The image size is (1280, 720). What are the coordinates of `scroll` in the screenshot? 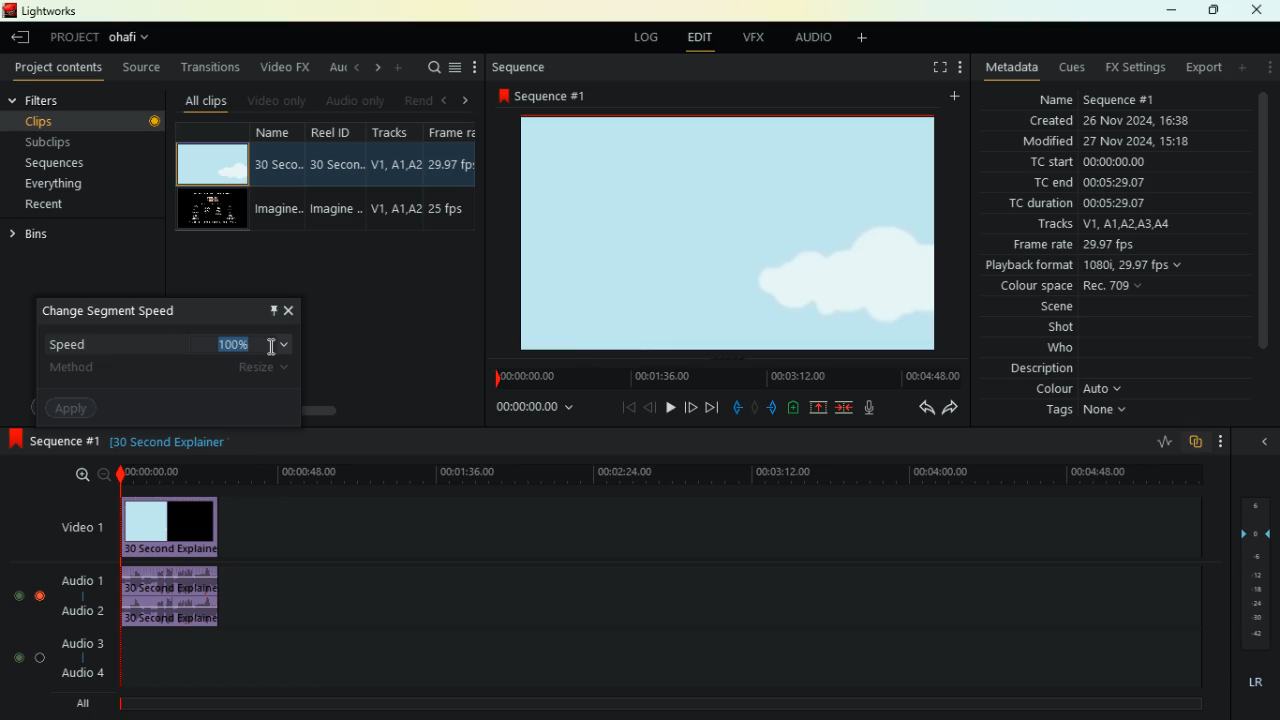 It's located at (1263, 230).